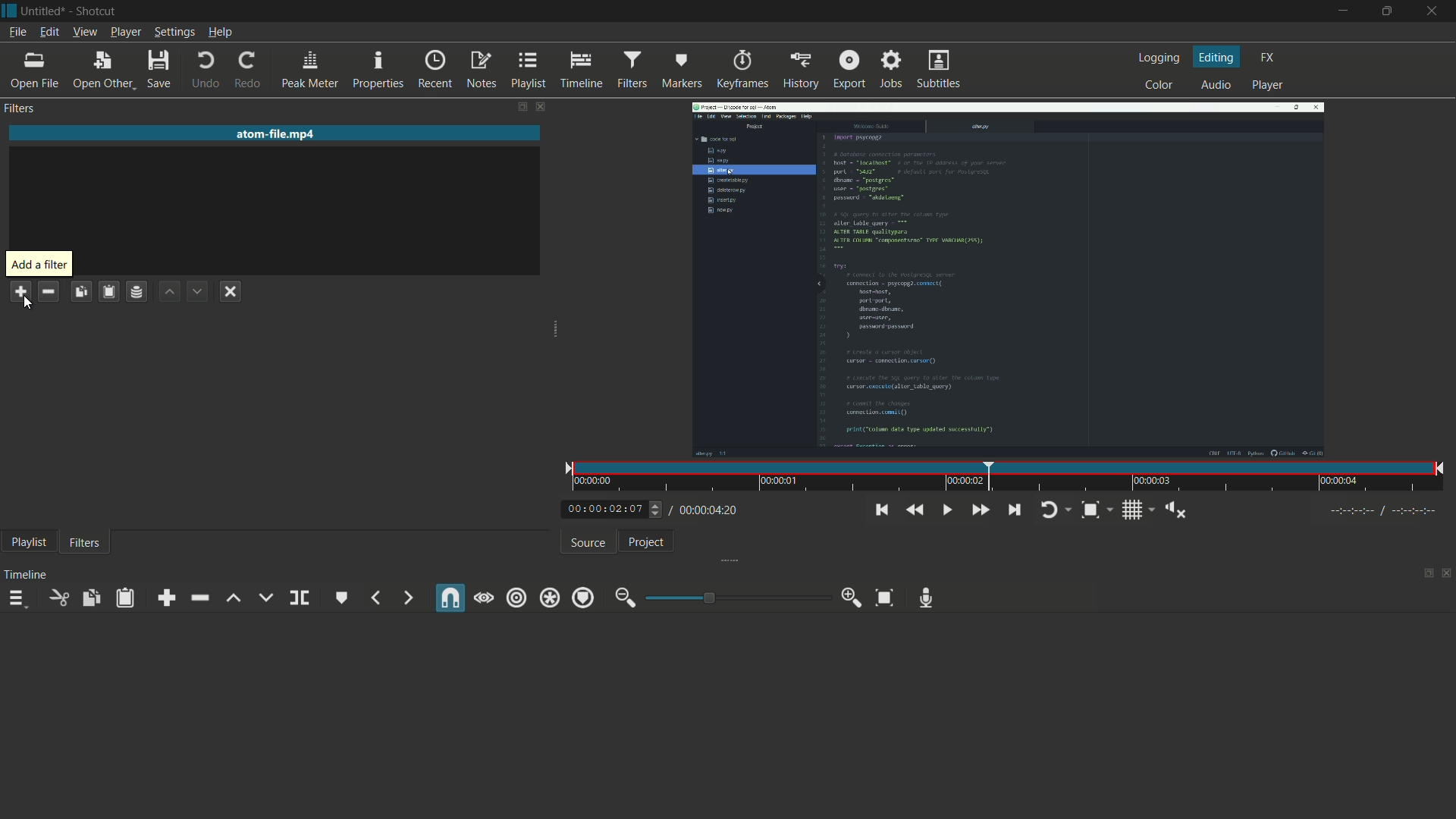  Describe the element at coordinates (39, 263) in the screenshot. I see `add a filter pop up` at that location.